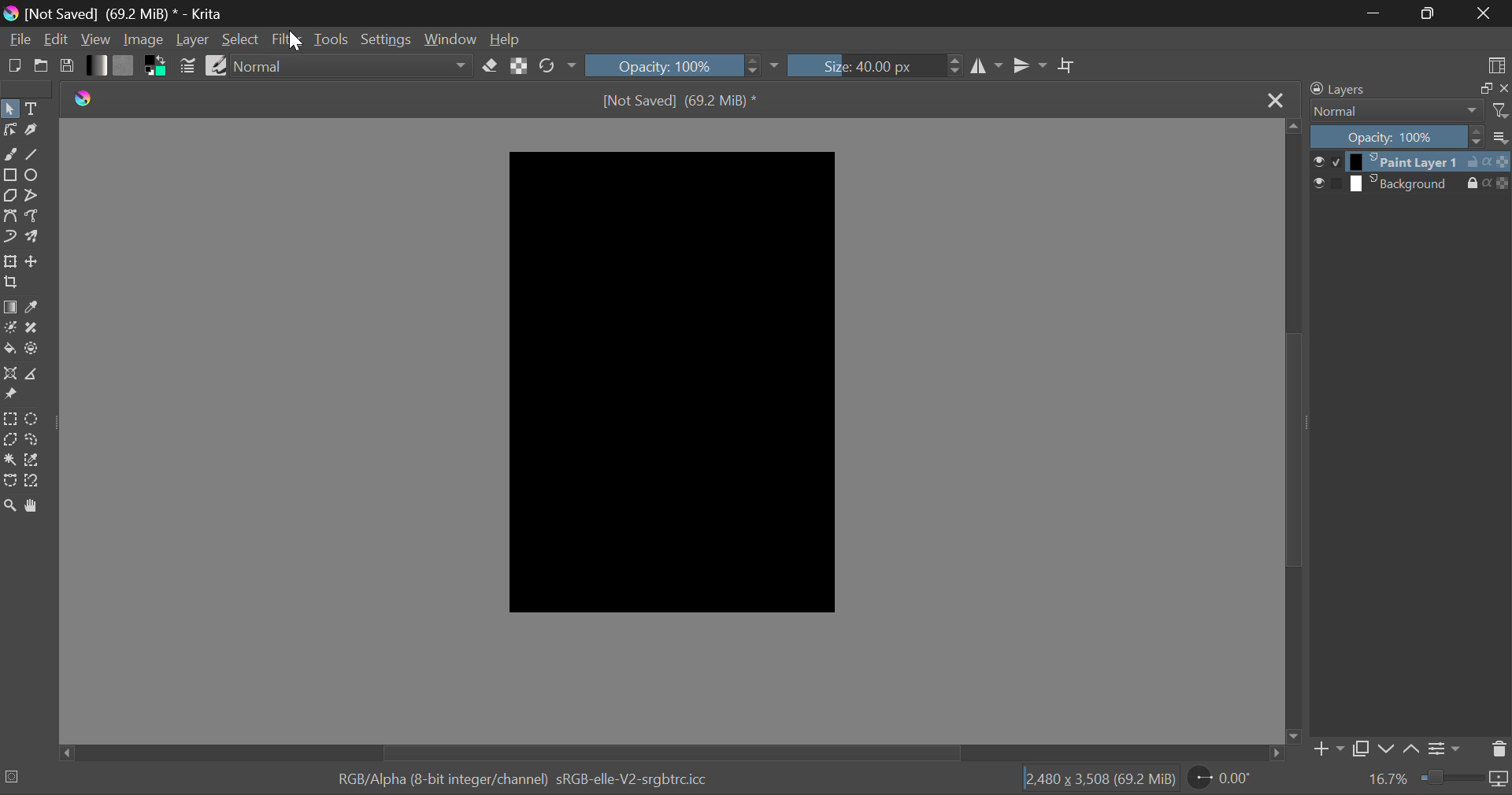  I want to click on Rectangle, so click(9, 173).